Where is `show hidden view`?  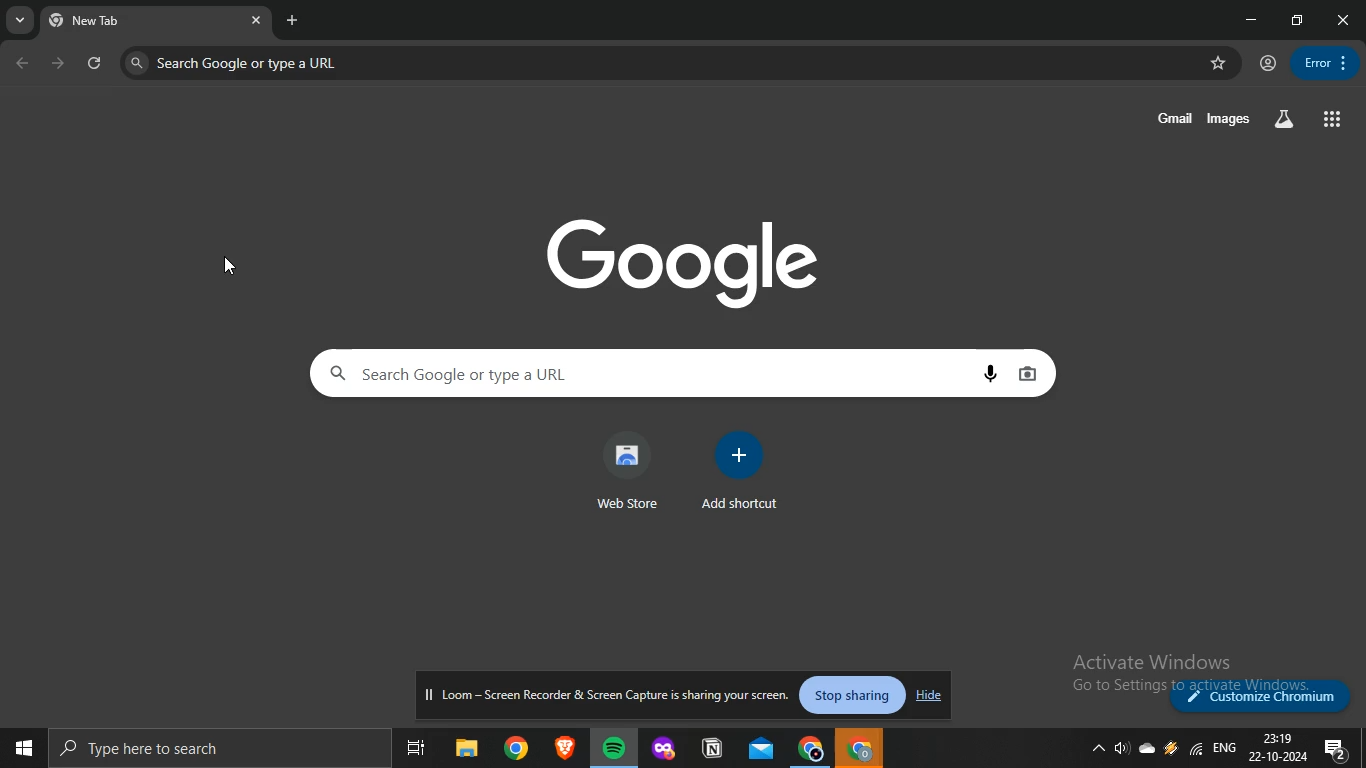 show hidden view is located at coordinates (1095, 750).